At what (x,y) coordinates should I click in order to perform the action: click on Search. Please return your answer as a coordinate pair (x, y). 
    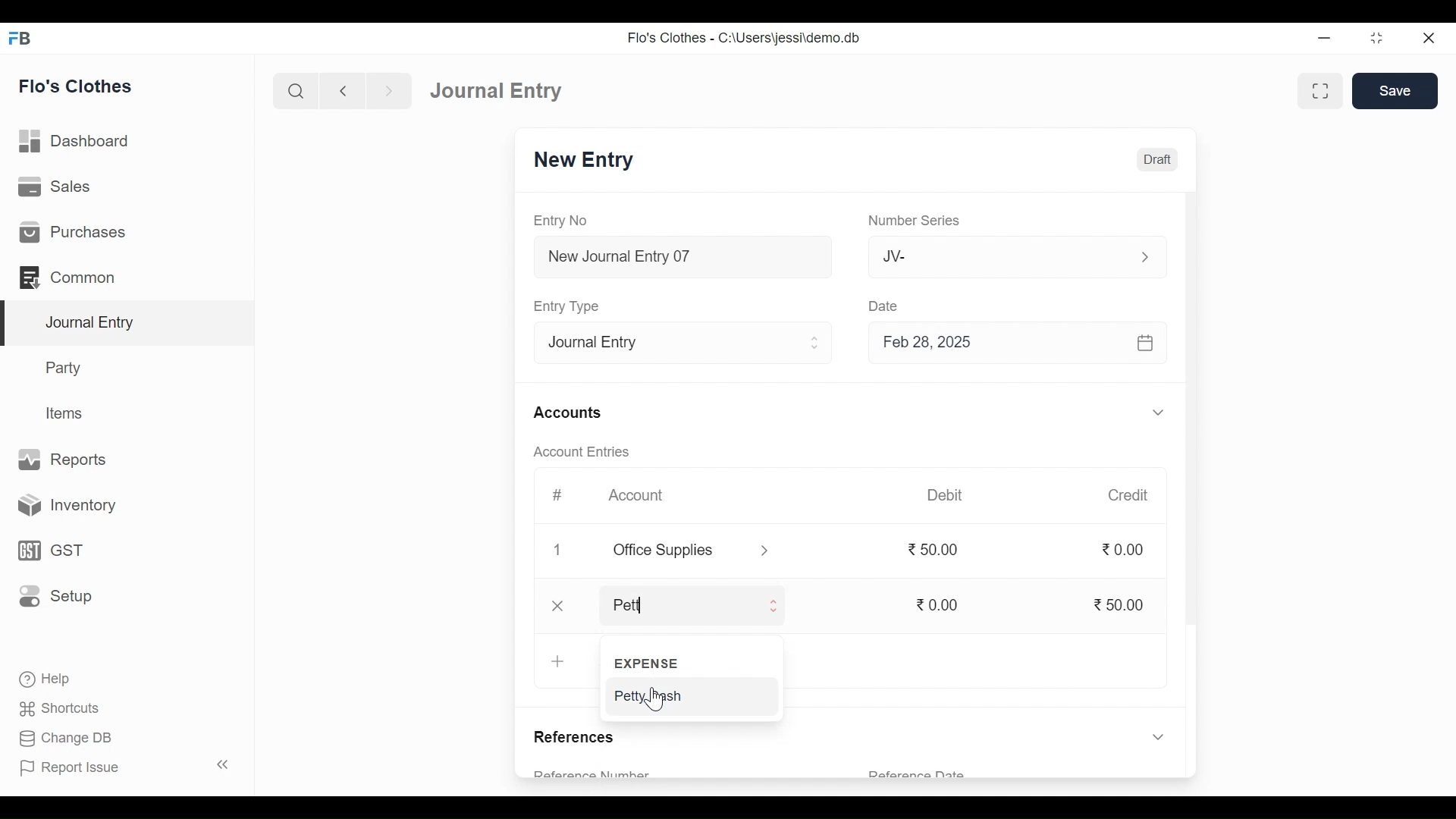
    Looking at the image, I should click on (296, 92).